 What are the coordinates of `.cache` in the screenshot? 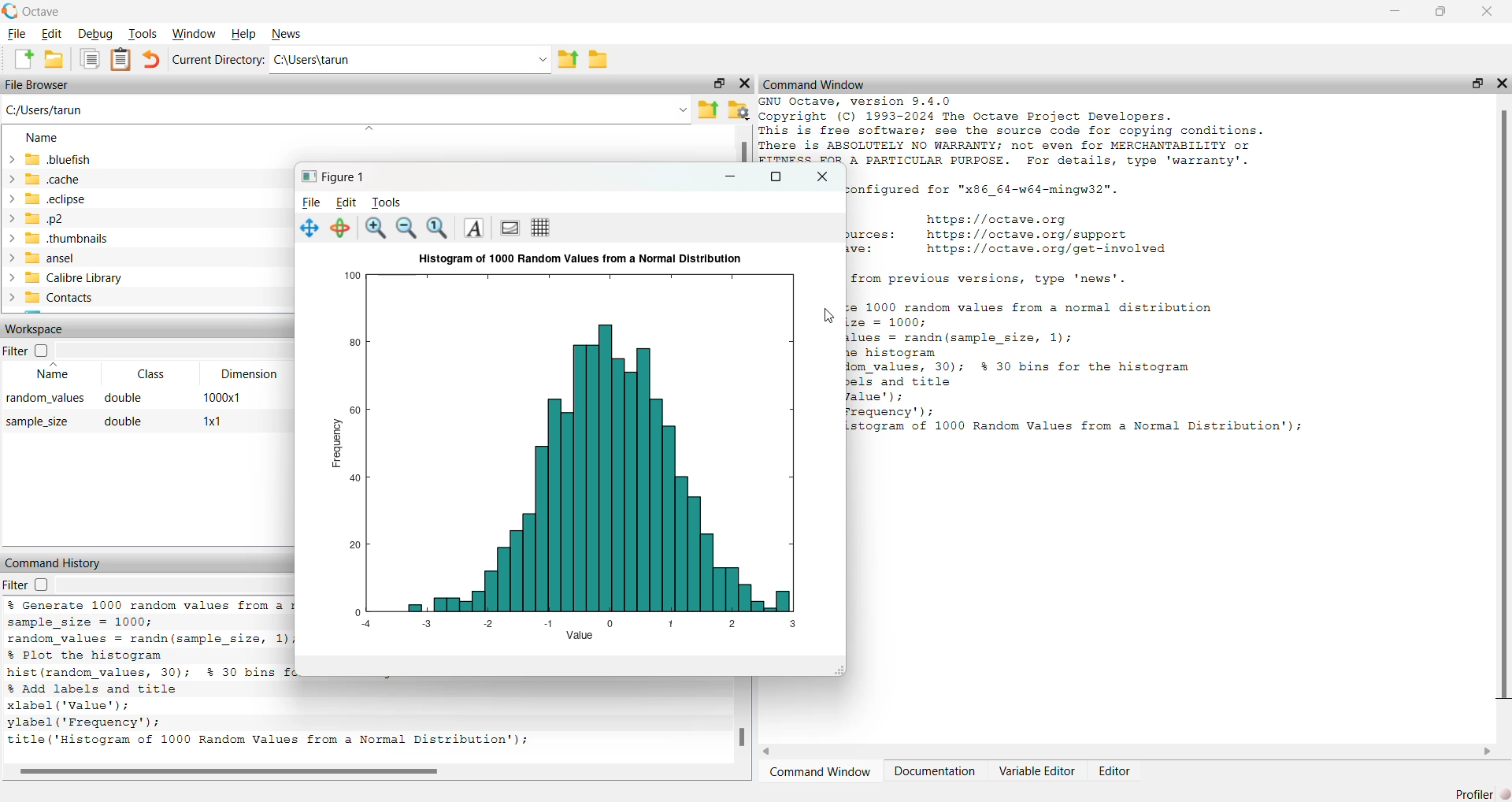 It's located at (43, 180).